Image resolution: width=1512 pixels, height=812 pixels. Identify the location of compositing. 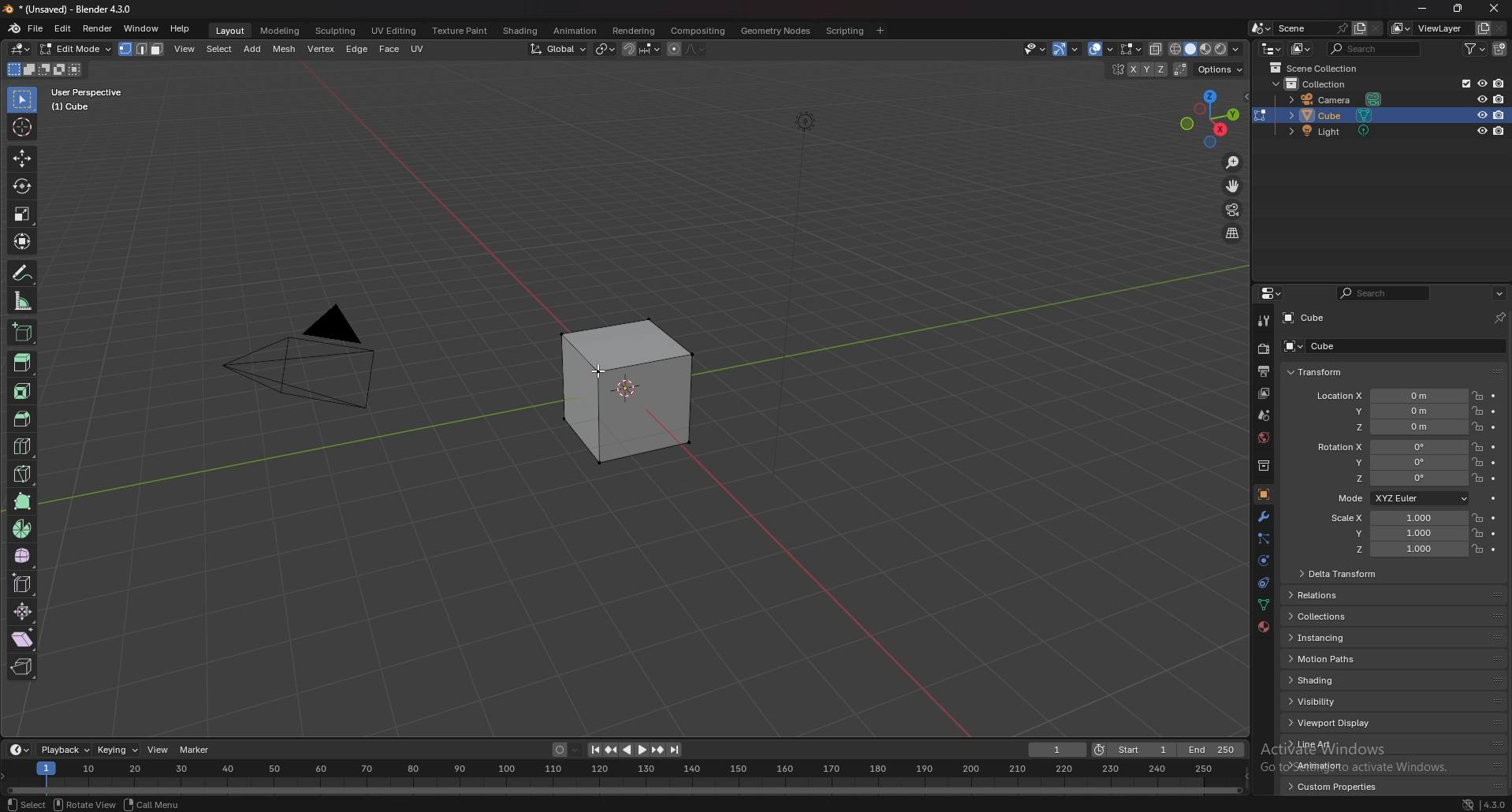
(700, 30).